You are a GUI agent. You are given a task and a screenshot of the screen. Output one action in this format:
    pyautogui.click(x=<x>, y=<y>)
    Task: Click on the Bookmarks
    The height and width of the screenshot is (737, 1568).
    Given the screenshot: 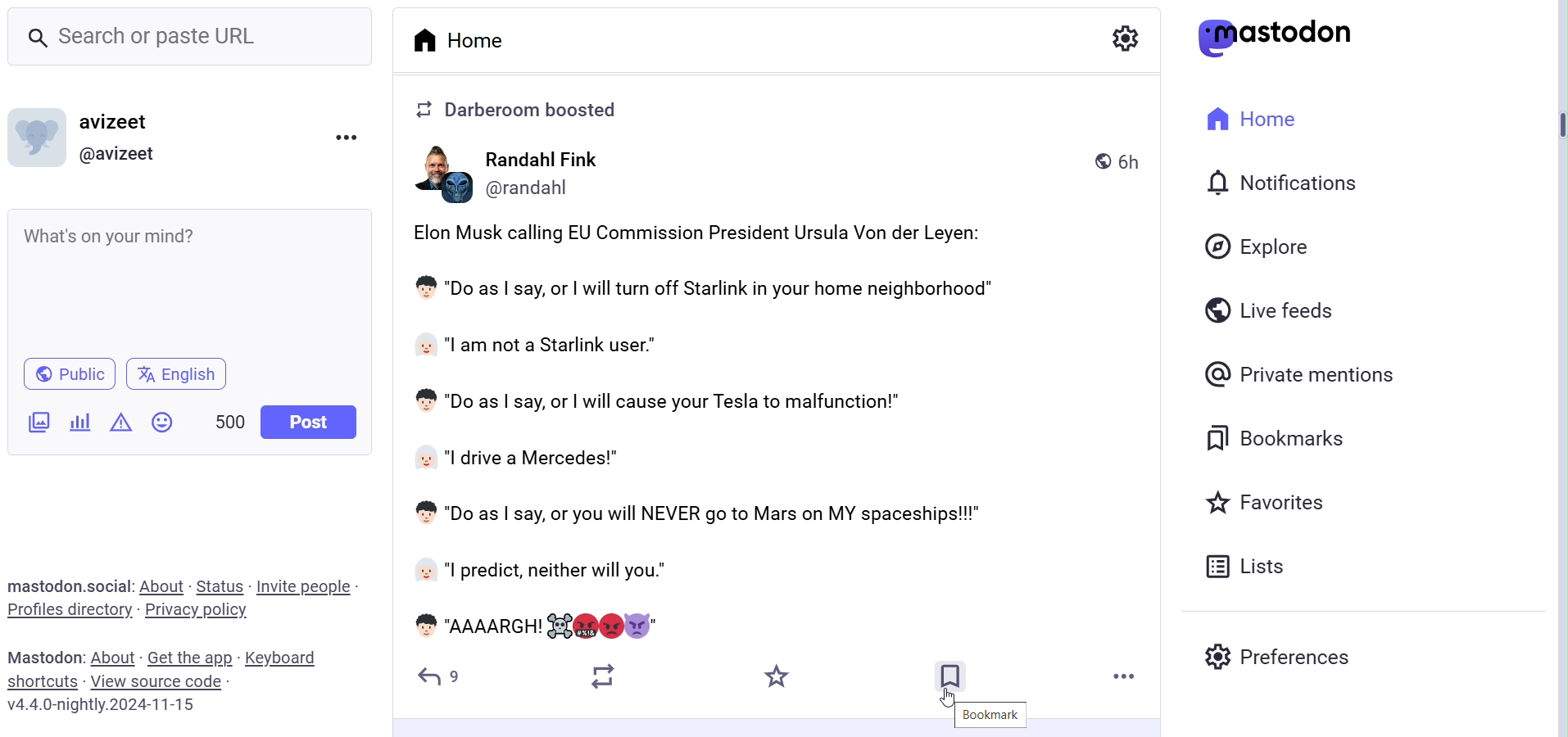 What is the action you would take?
    pyautogui.click(x=1275, y=436)
    